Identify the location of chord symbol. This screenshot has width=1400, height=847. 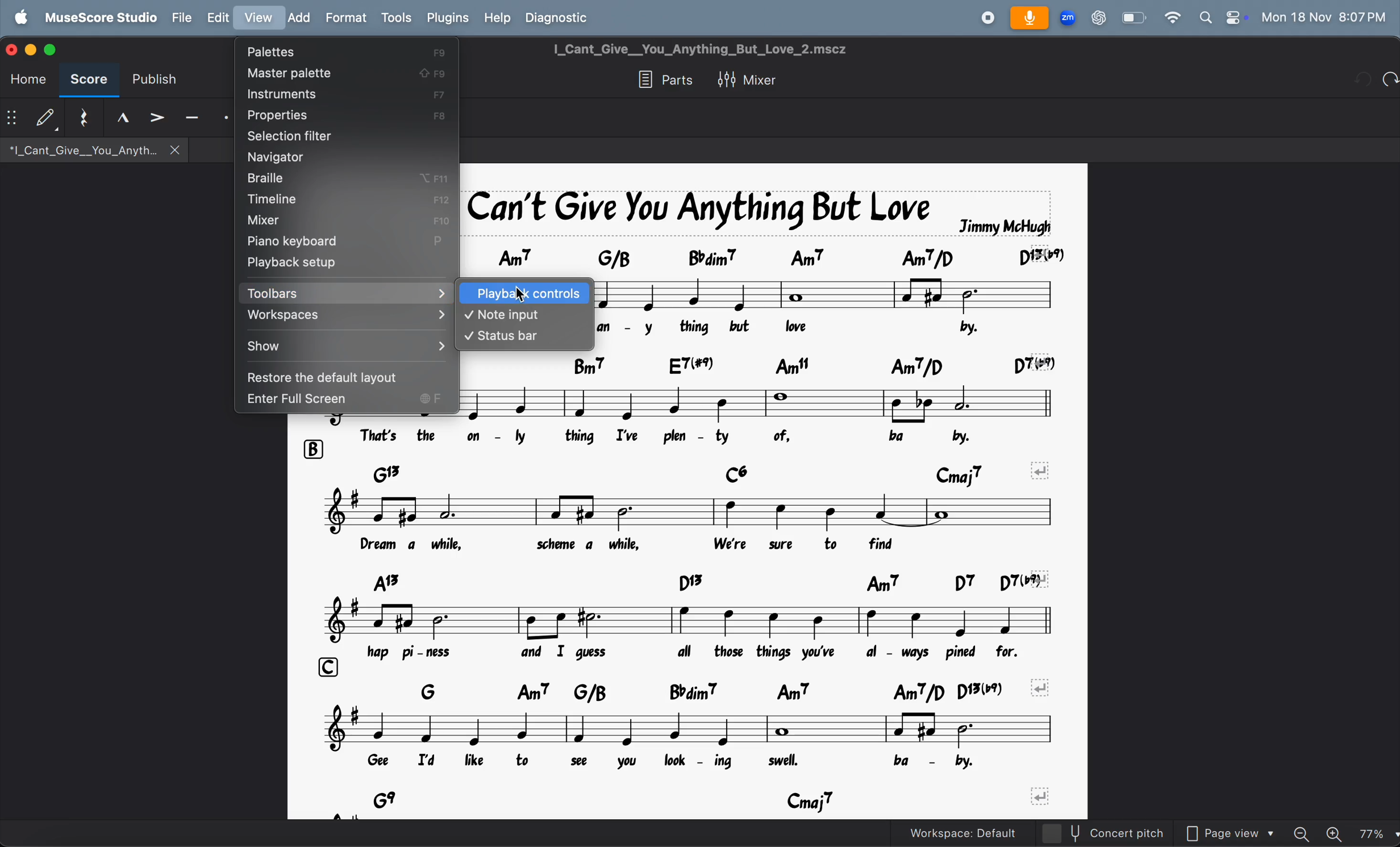
(768, 365).